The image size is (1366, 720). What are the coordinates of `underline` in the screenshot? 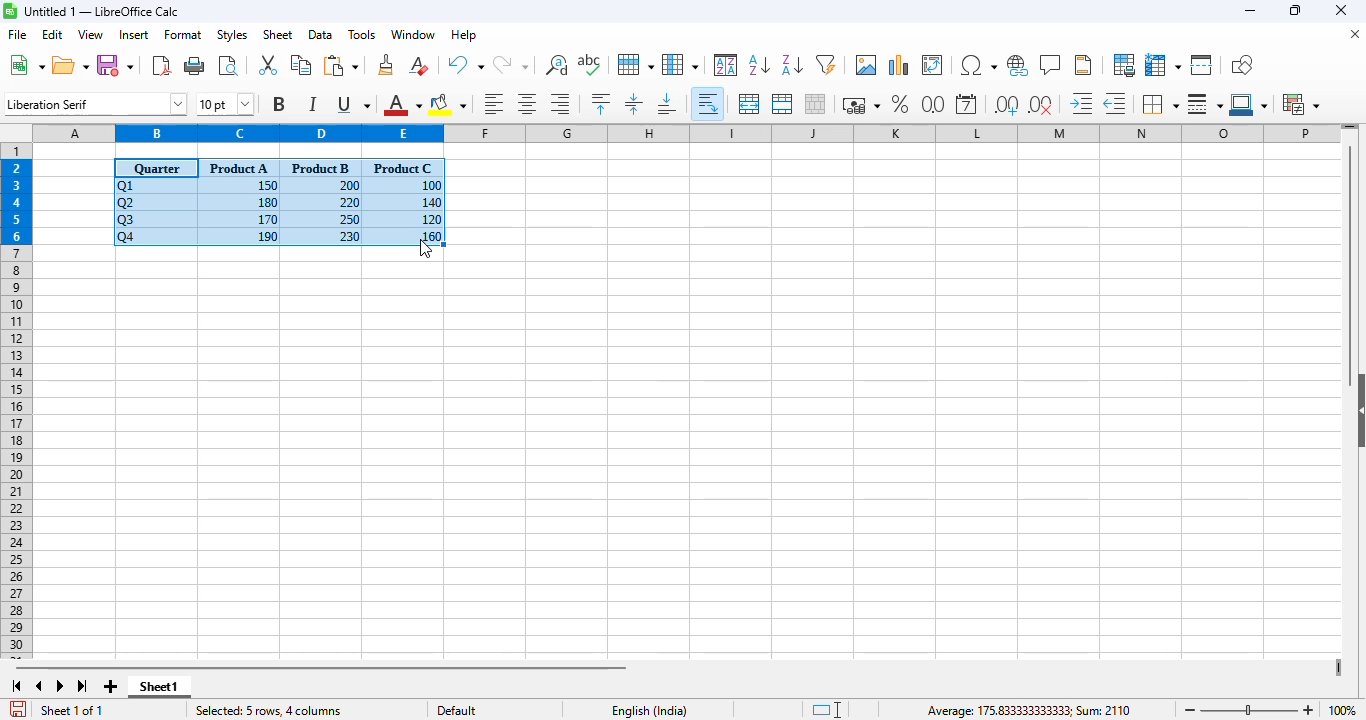 It's located at (352, 104).